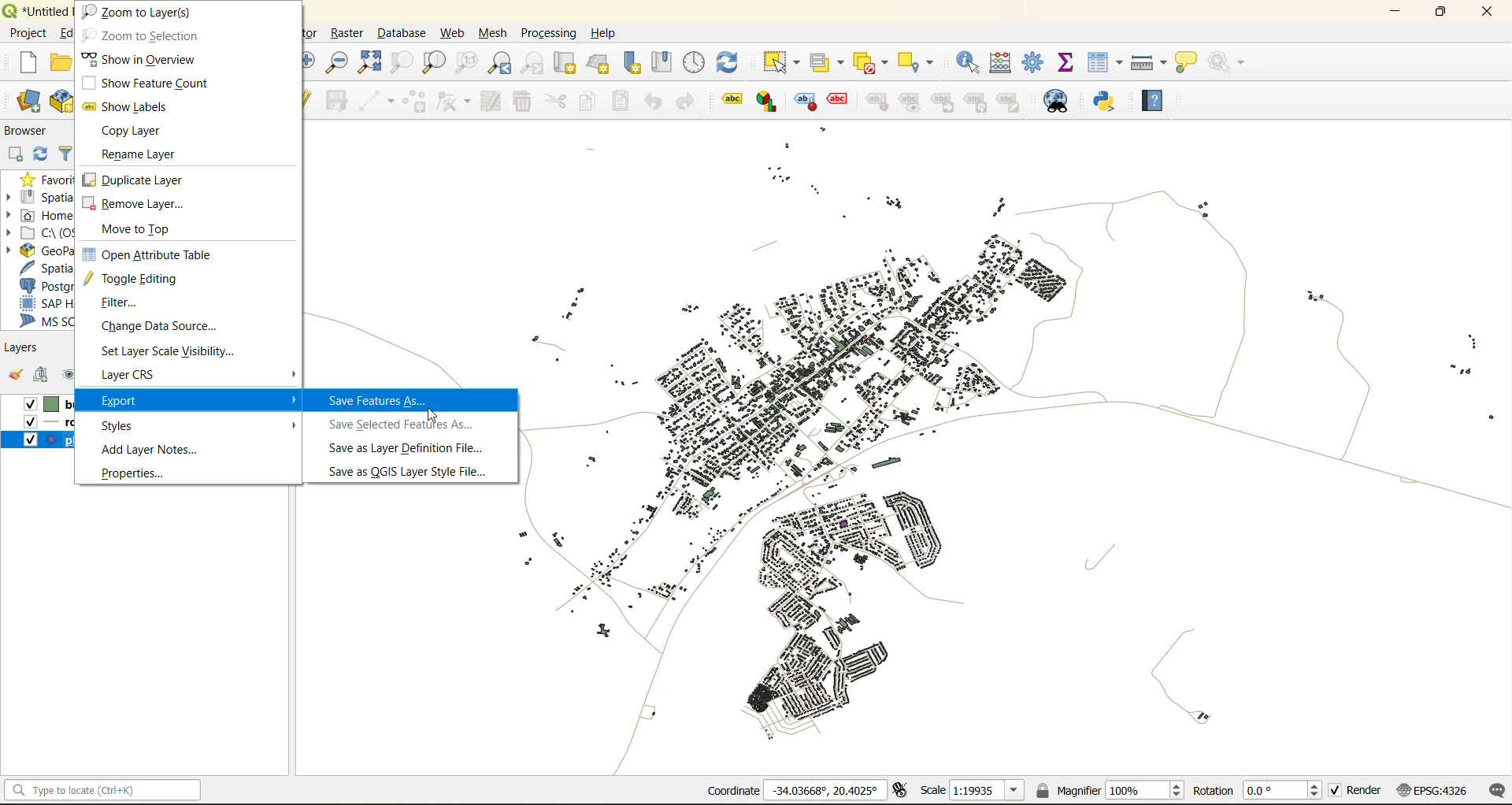  Describe the element at coordinates (1157, 97) in the screenshot. I see `help` at that location.